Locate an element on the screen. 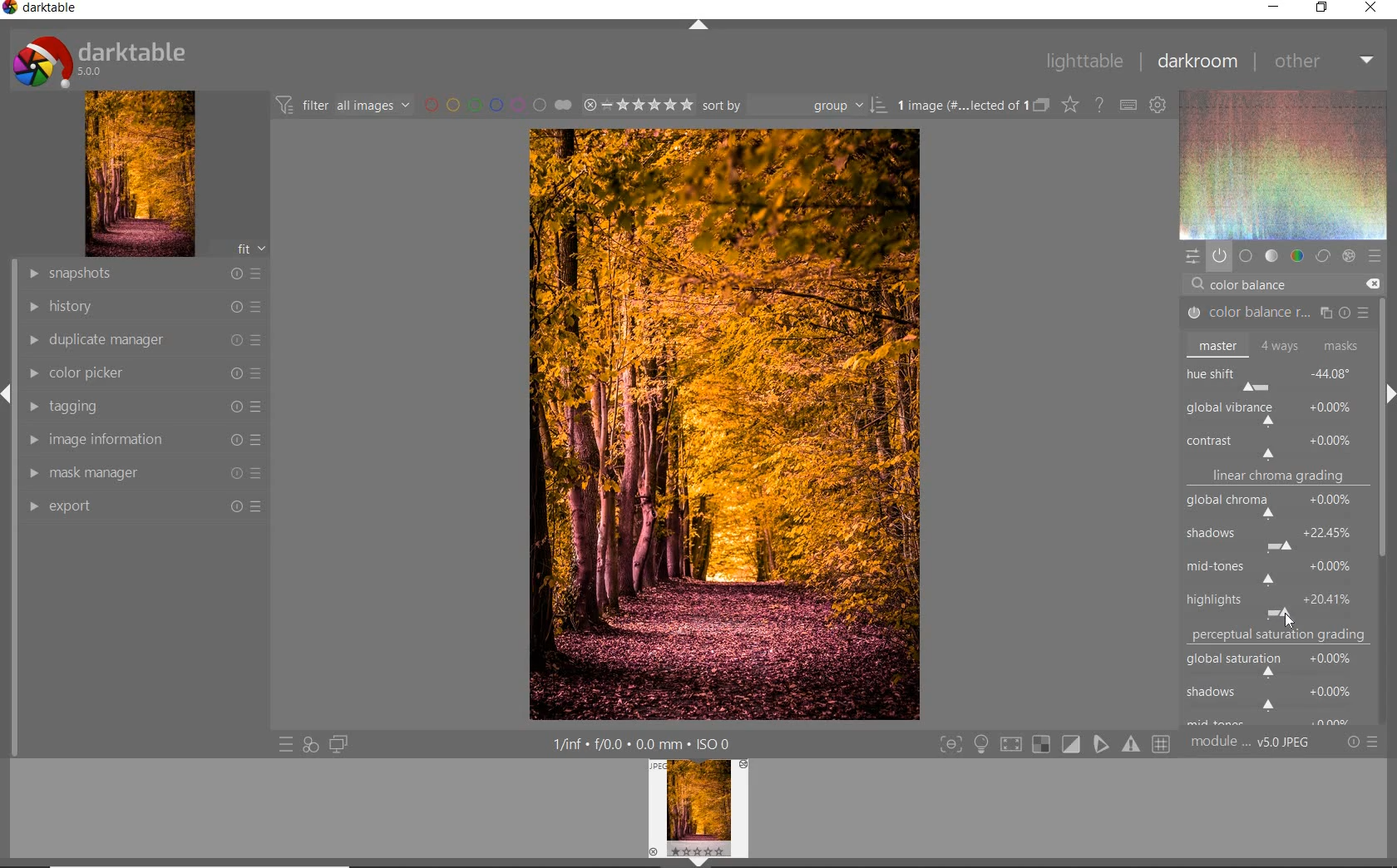 This screenshot has width=1397, height=868. tagging is located at coordinates (143, 408).